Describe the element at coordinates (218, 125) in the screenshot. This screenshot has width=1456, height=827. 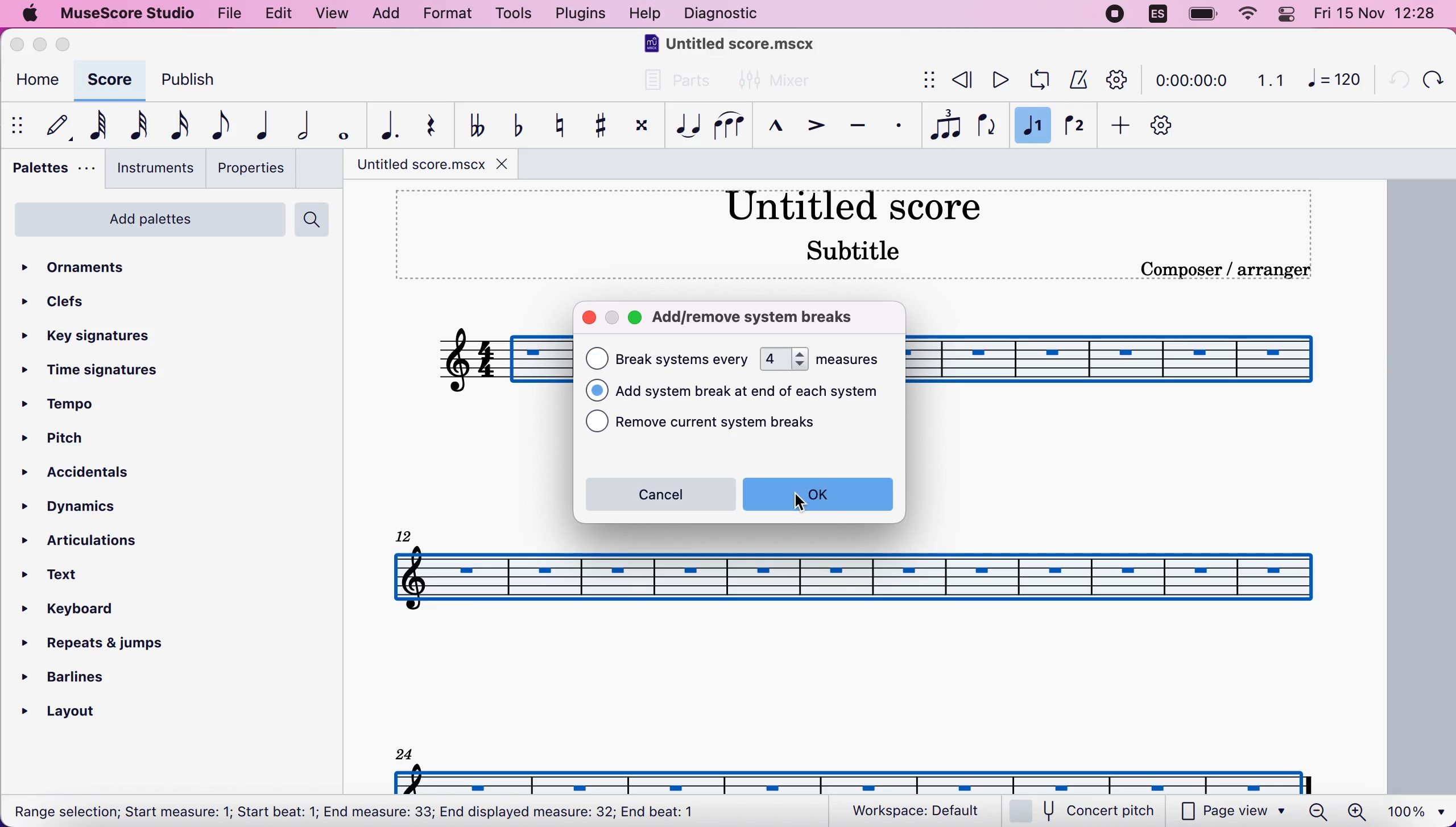
I see `eight note` at that location.